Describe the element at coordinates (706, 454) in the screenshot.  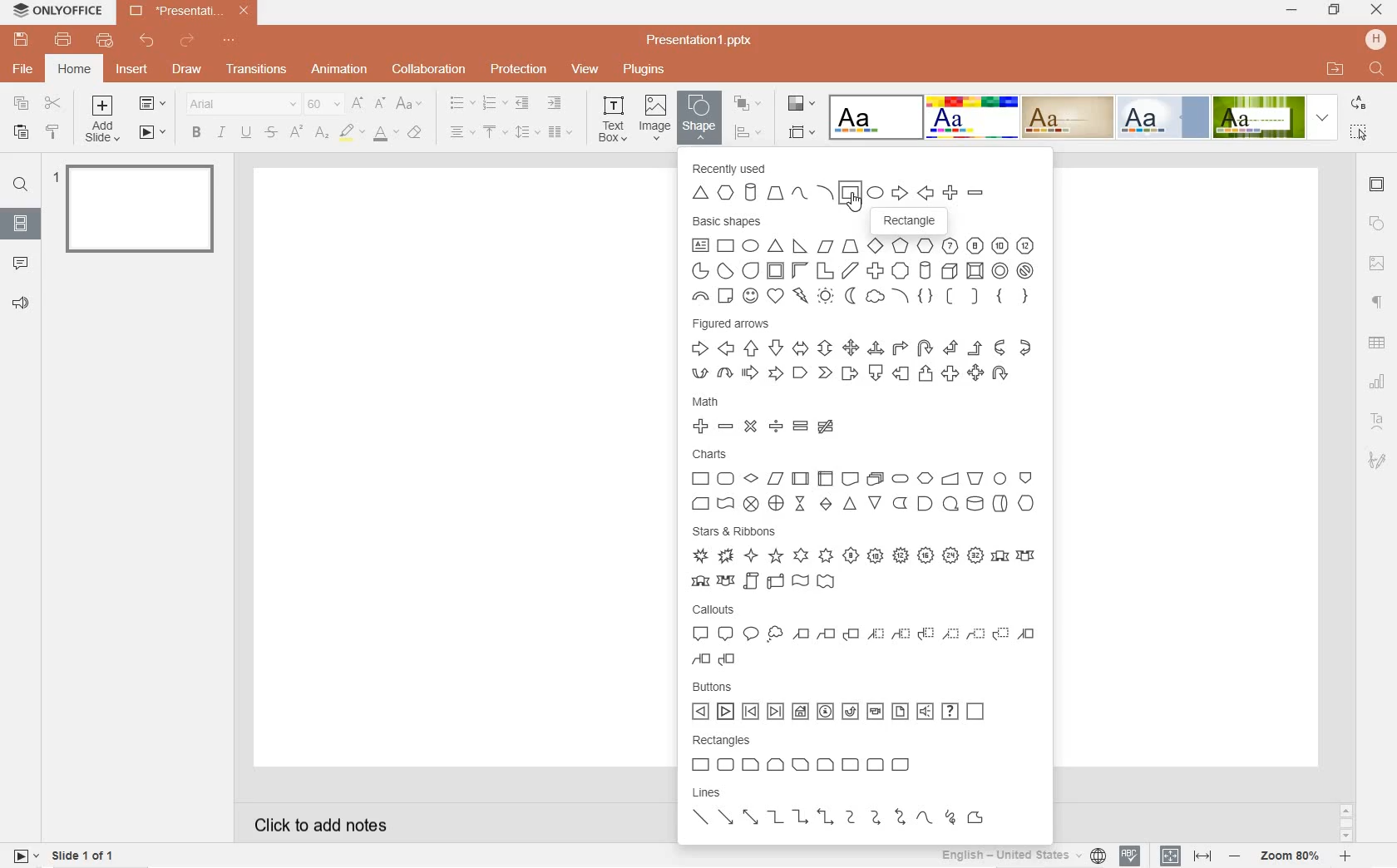
I see `charts` at that location.